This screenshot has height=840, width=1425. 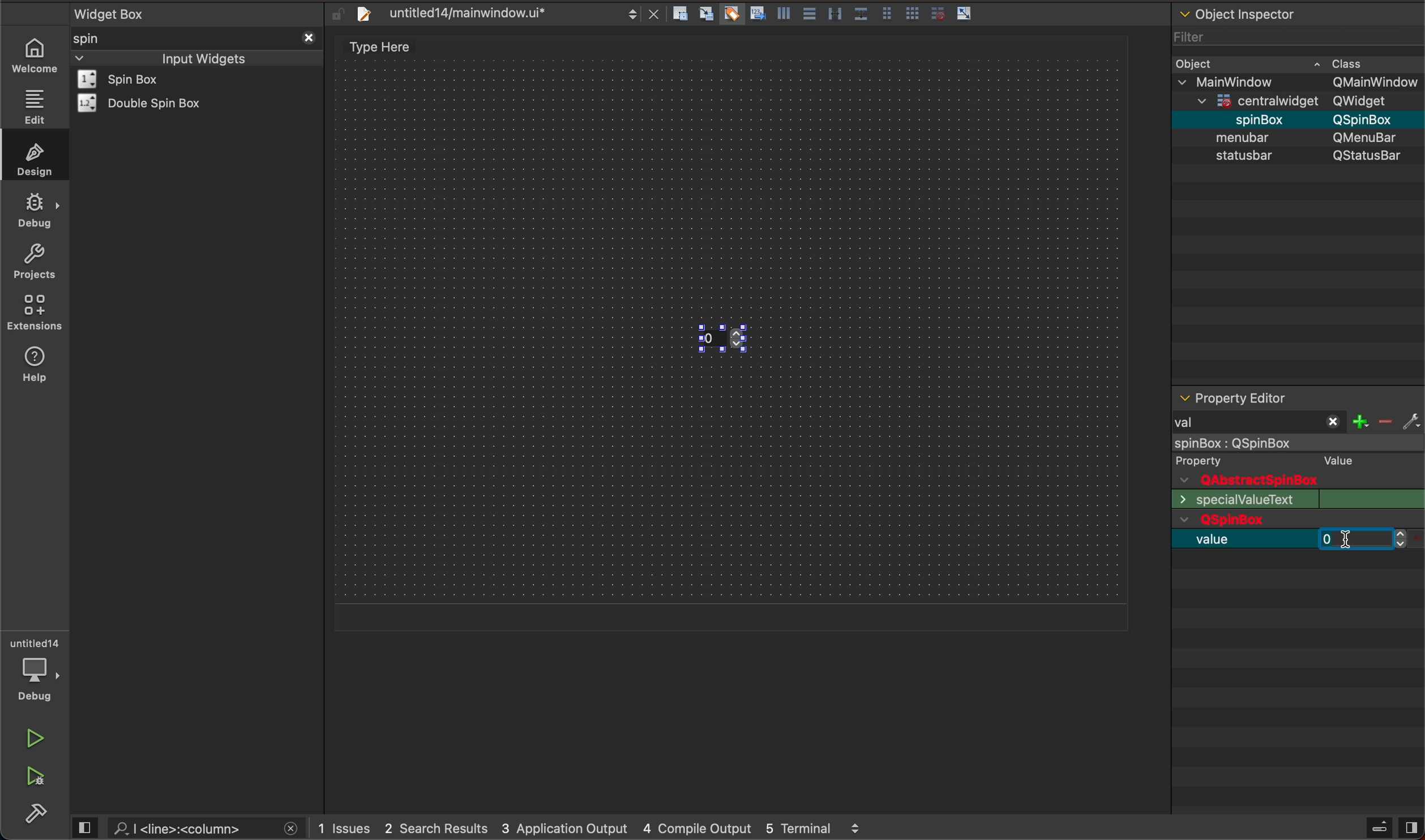 I want to click on widget box, so click(x=200, y=12).